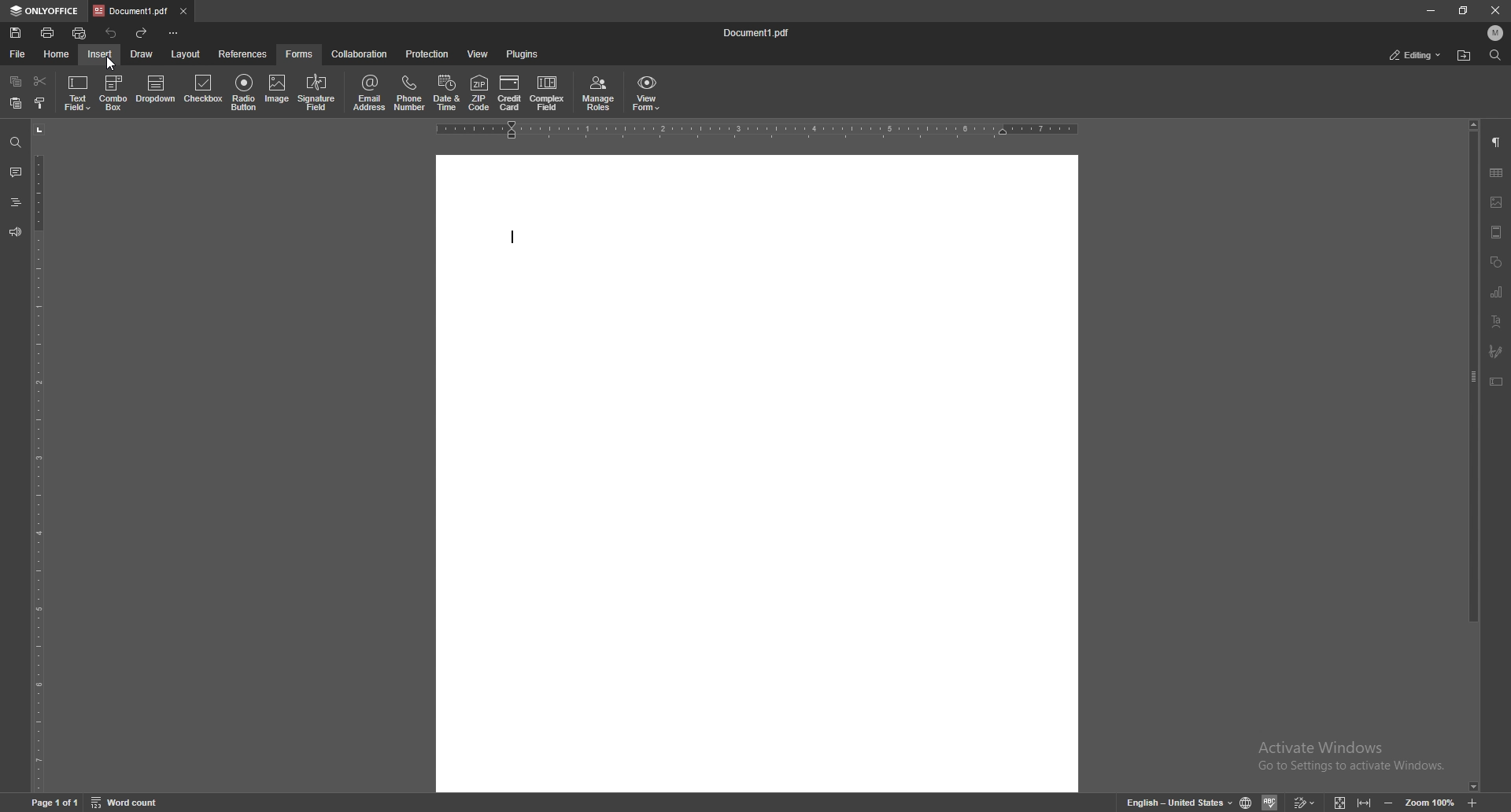 The height and width of the screenshot is (812, 1511). I want to click on dropdown, so click(157, 90).